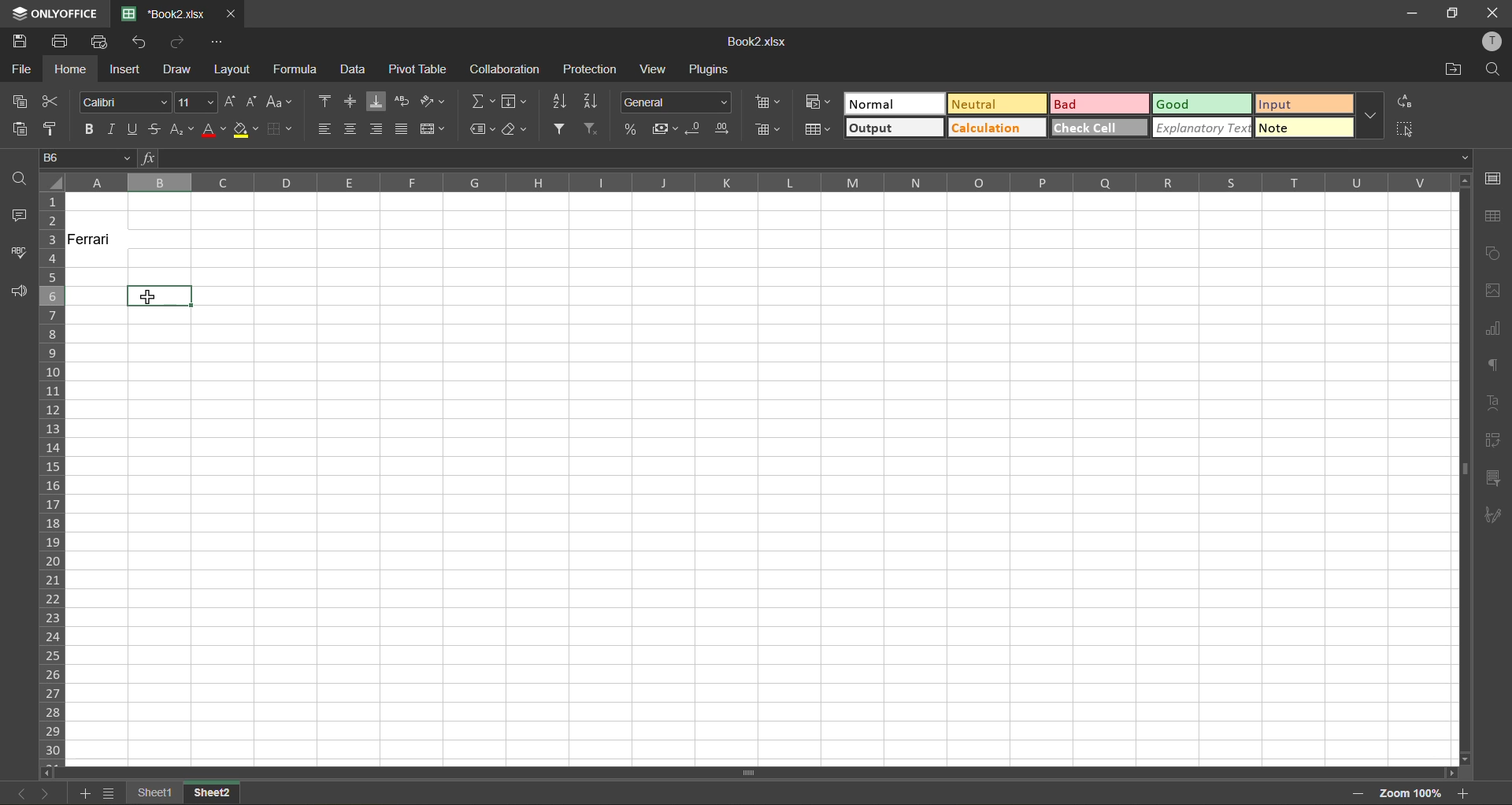 This screenshot has height=805, width=1512. Describe the element at coordinates (1409, 796) in the screenshot. I see `zoom factor` at that location.